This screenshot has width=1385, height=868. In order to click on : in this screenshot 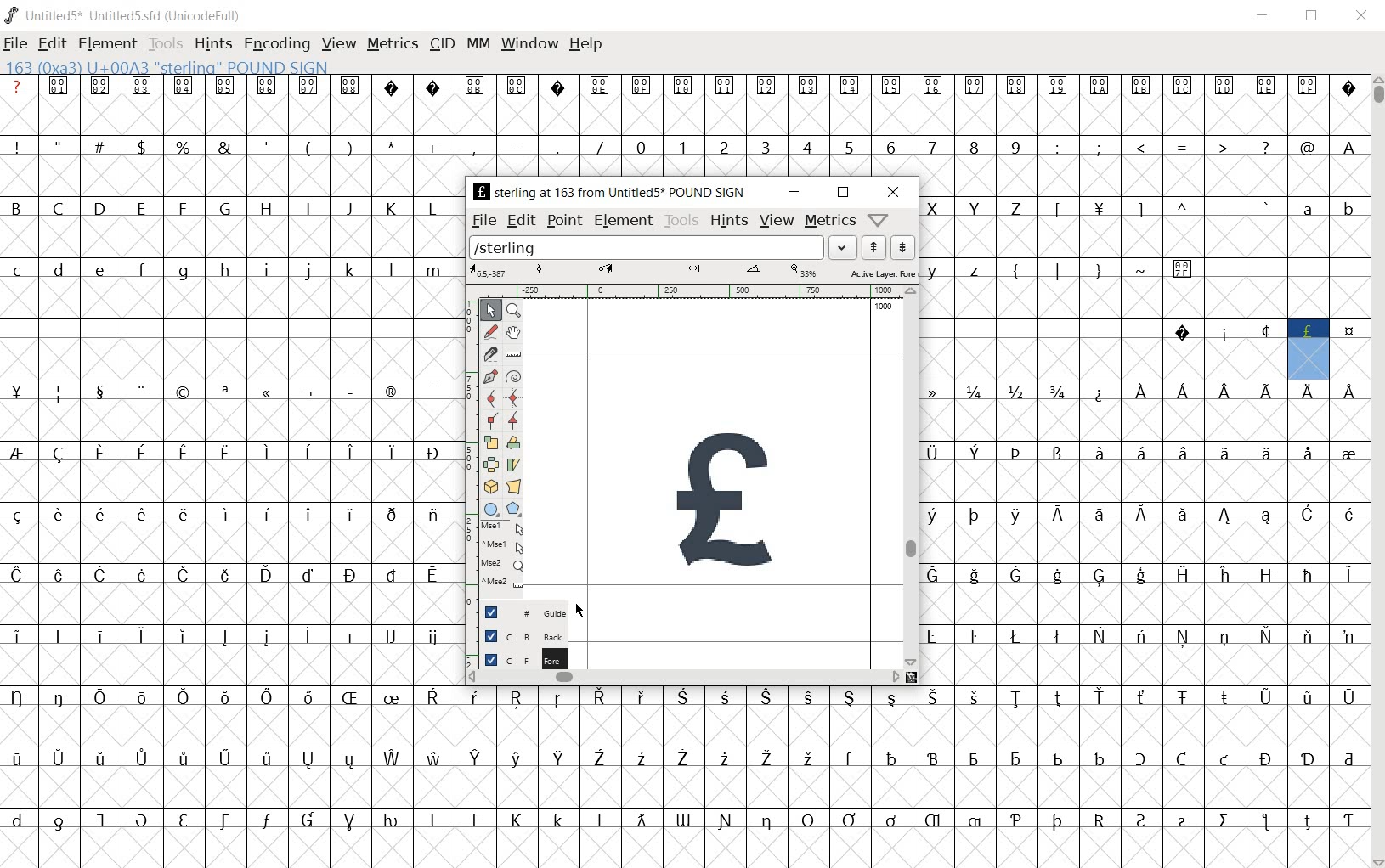, I will do `click(1055, 146)`.